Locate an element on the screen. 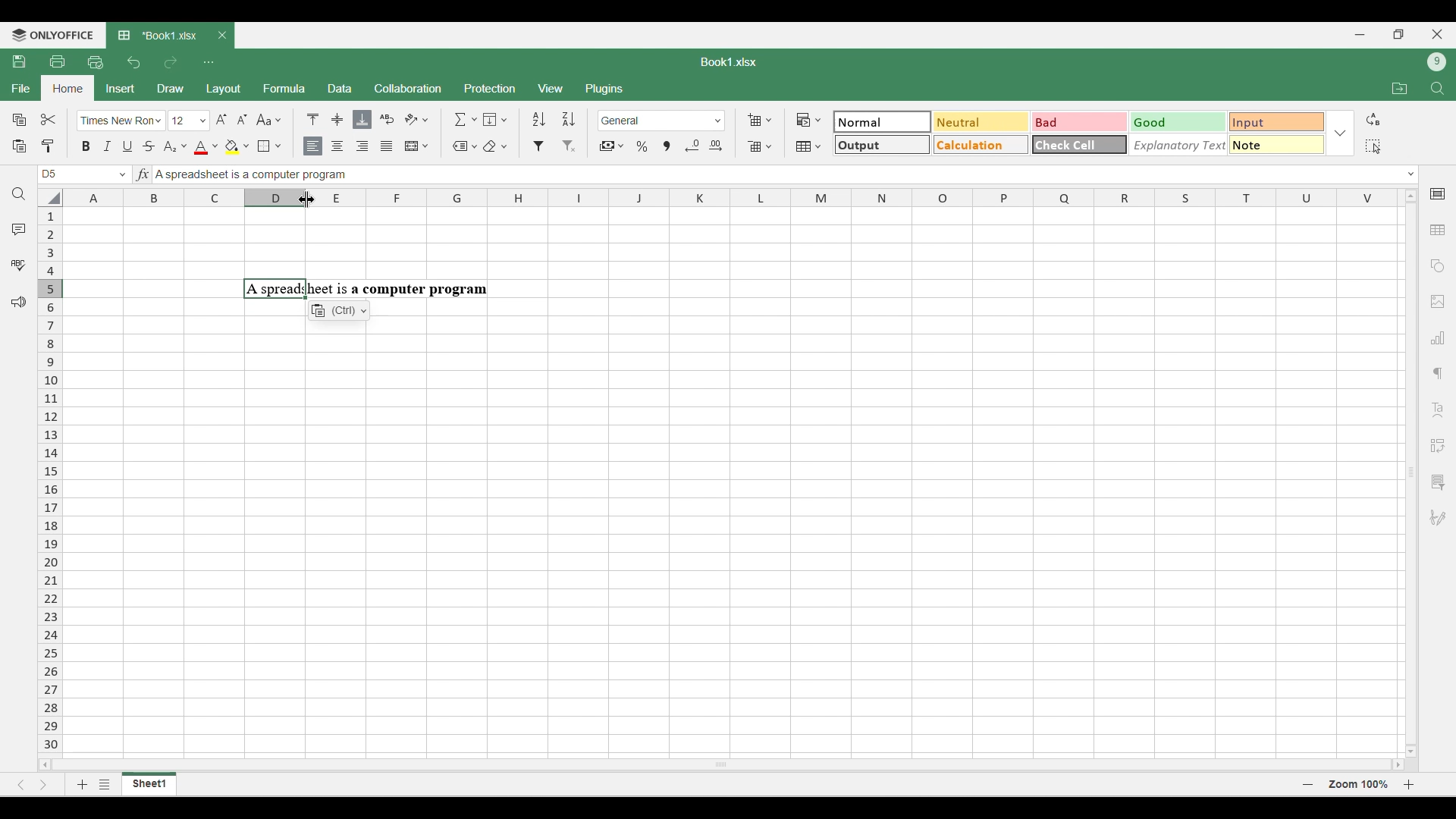 Image resolution: width=1456 pixels, height=819 pixels. Draw menu is located at coordinates (171, 88).